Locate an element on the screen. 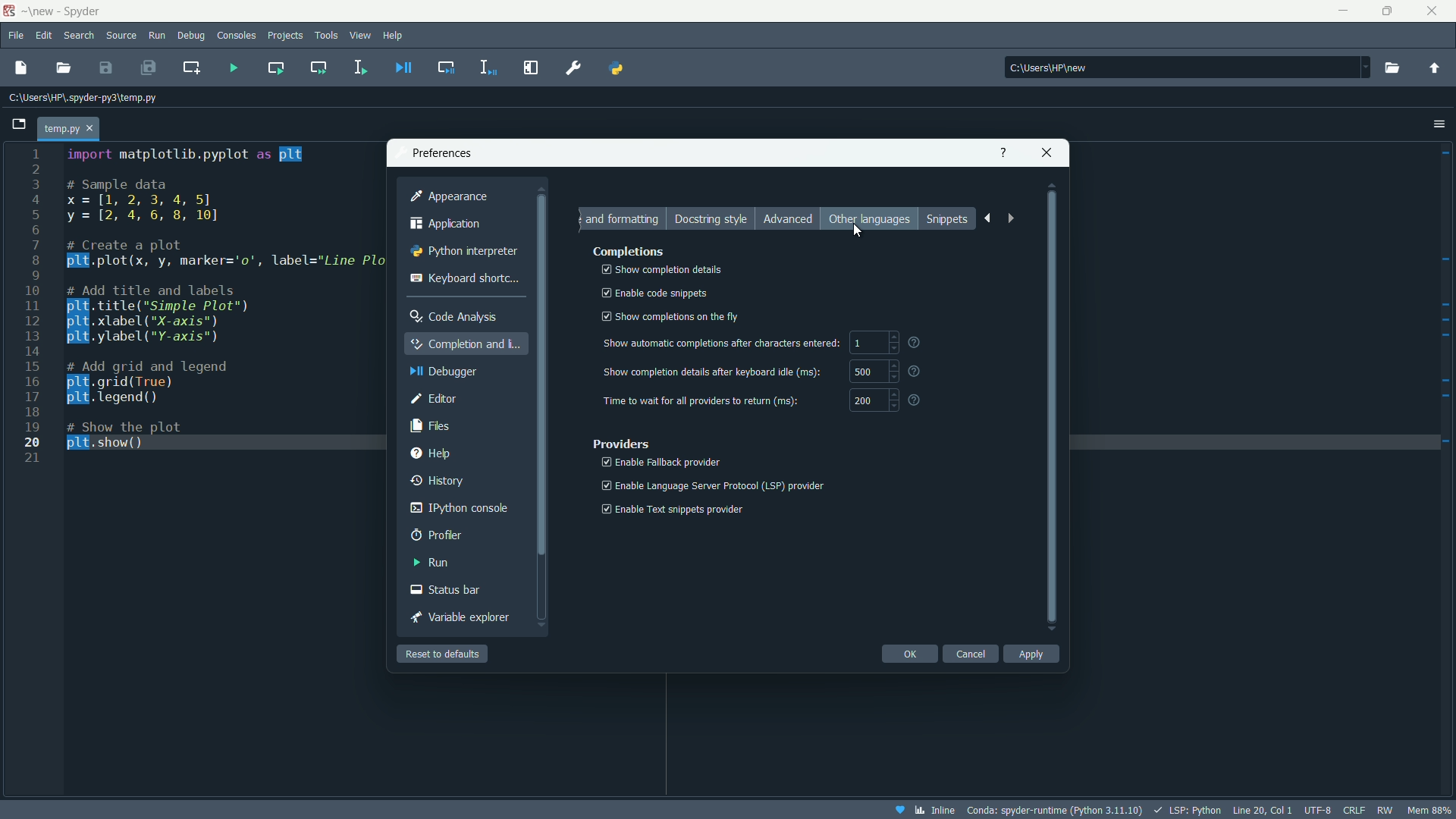 The width and height of the screenshot is (1456, 819). new file is located at coordinates (20, 67).